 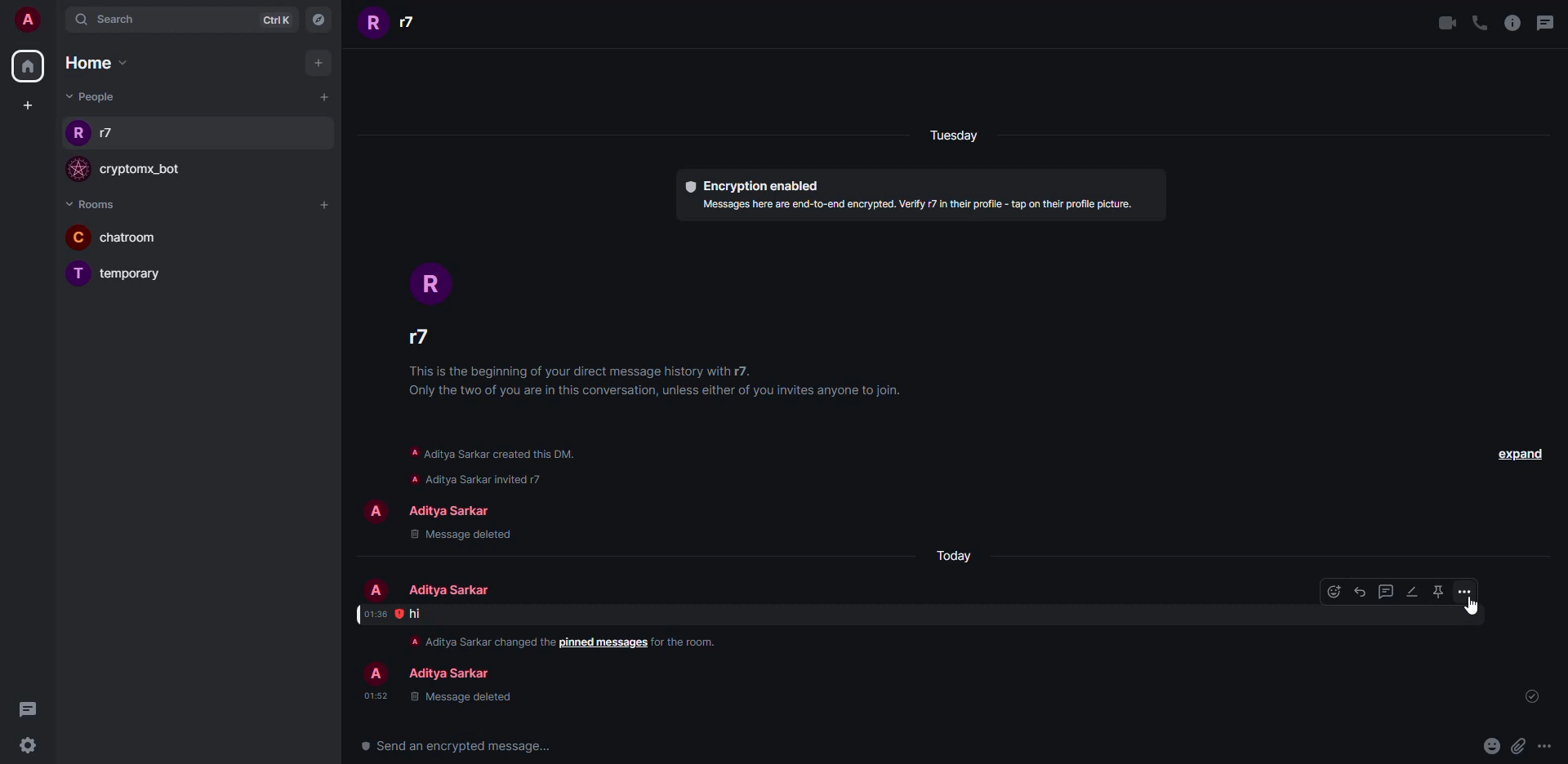 What do you see at coordinates (661, 383) in the screenshot?
I see `info` at bounding box center [661, 383].